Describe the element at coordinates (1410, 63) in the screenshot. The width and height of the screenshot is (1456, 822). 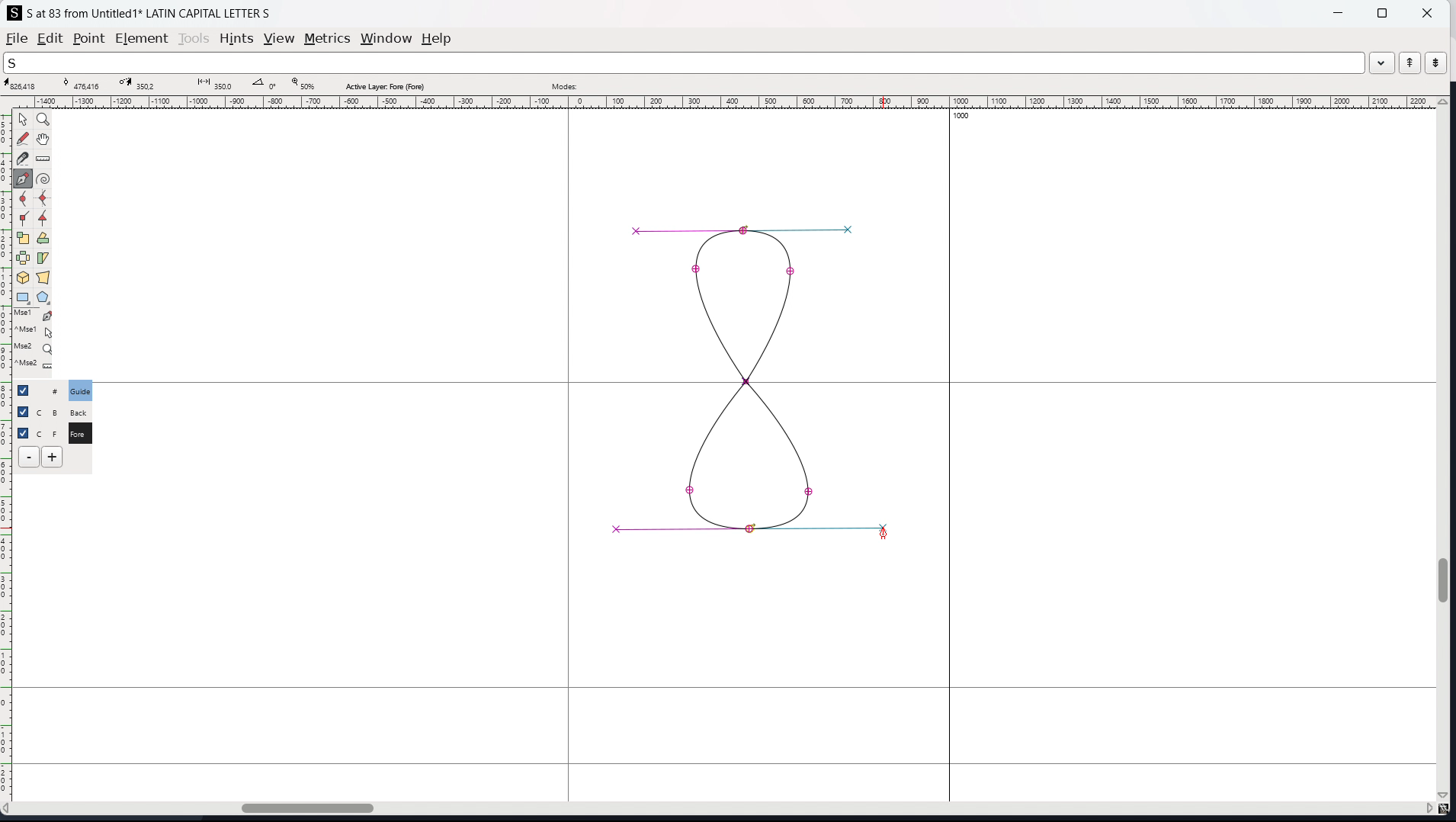
I see `previous word in the wordlist` at that location.